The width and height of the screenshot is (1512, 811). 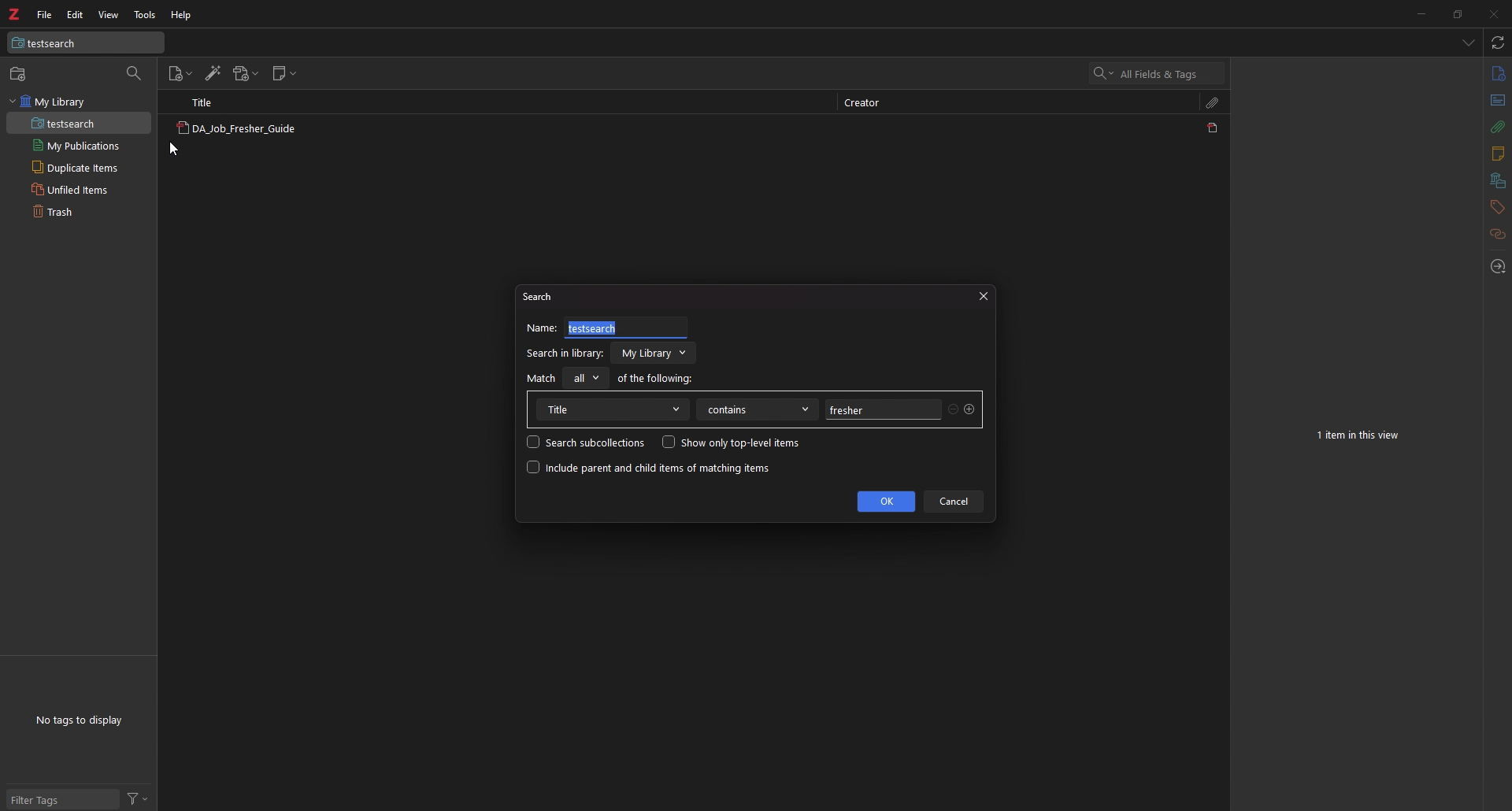 What do you see at coordinates (1498, 181) in the screenshot?
I see `collection and libraries` at bounding box center [1498, 181].